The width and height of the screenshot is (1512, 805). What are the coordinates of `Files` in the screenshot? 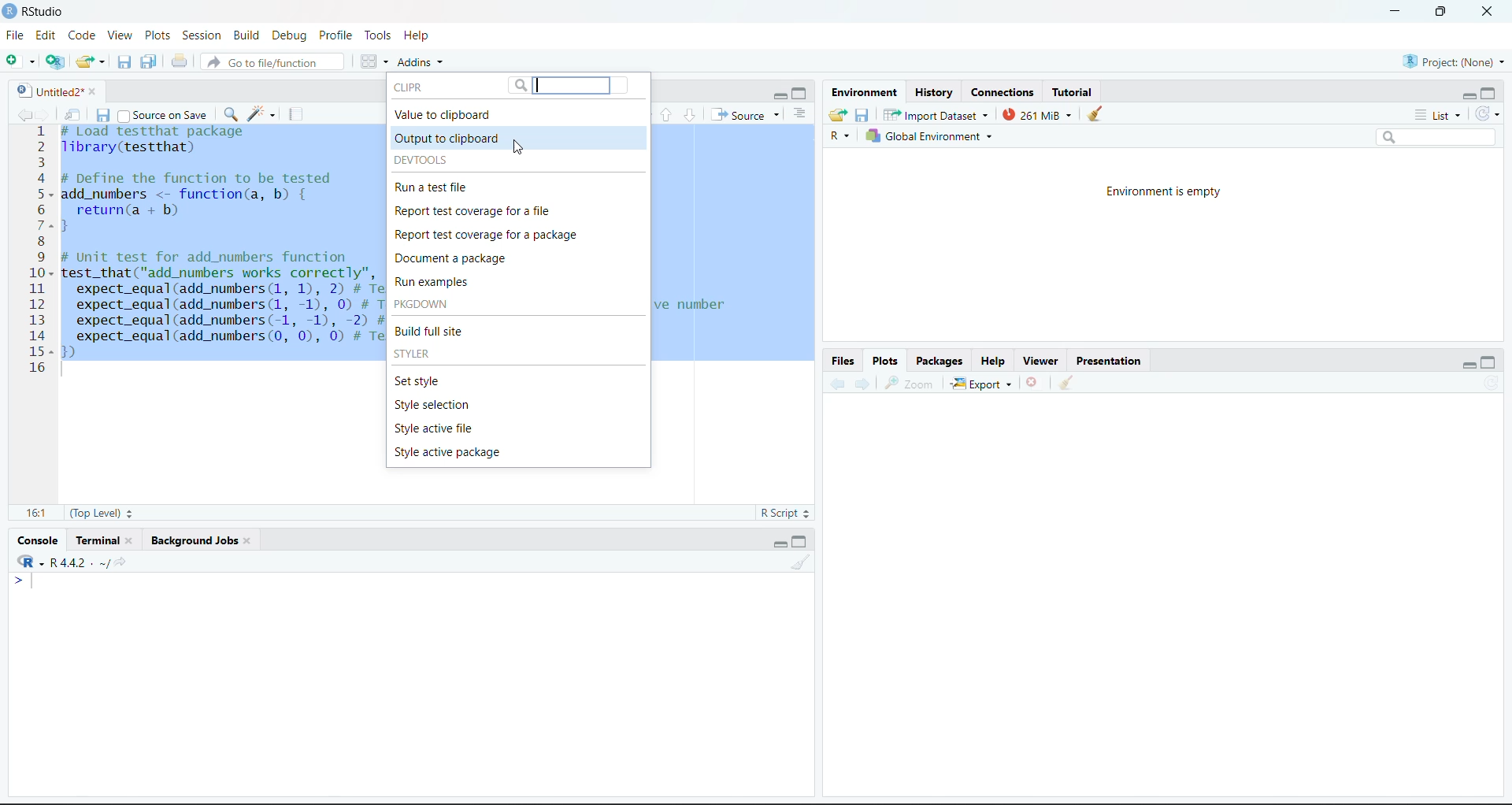 It's located at (843, 361).